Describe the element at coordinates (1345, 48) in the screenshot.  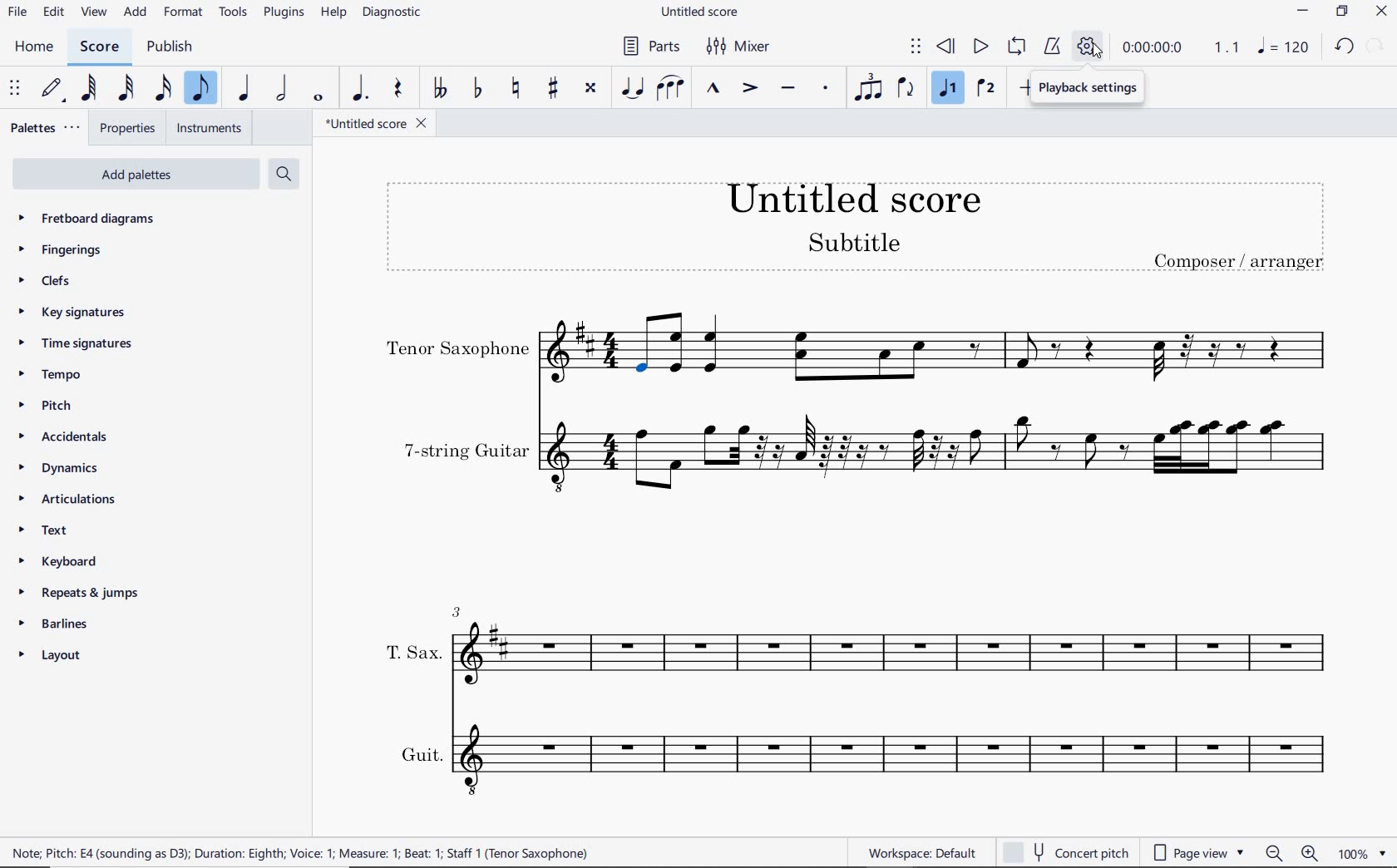
I see `UNDO` at that location.